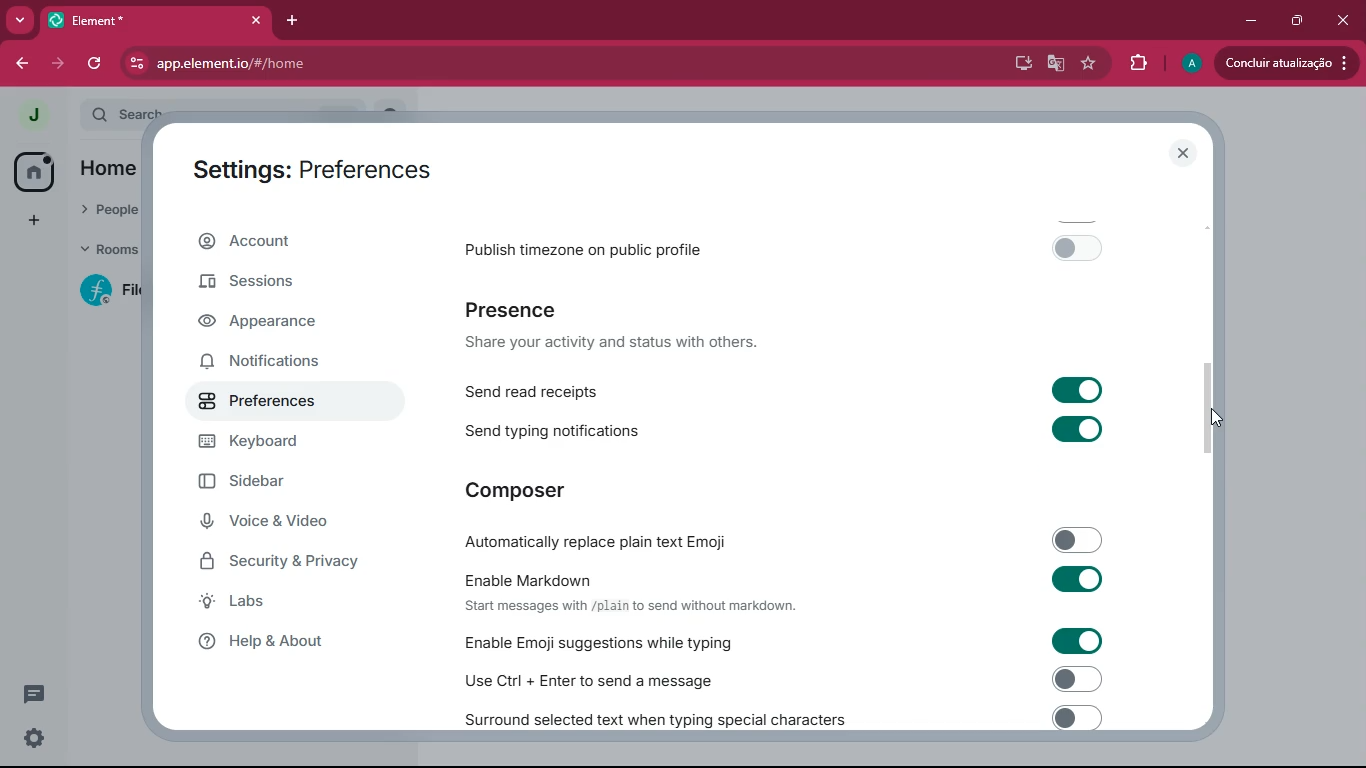  I want to click on surrond selected, so click(779, 717).